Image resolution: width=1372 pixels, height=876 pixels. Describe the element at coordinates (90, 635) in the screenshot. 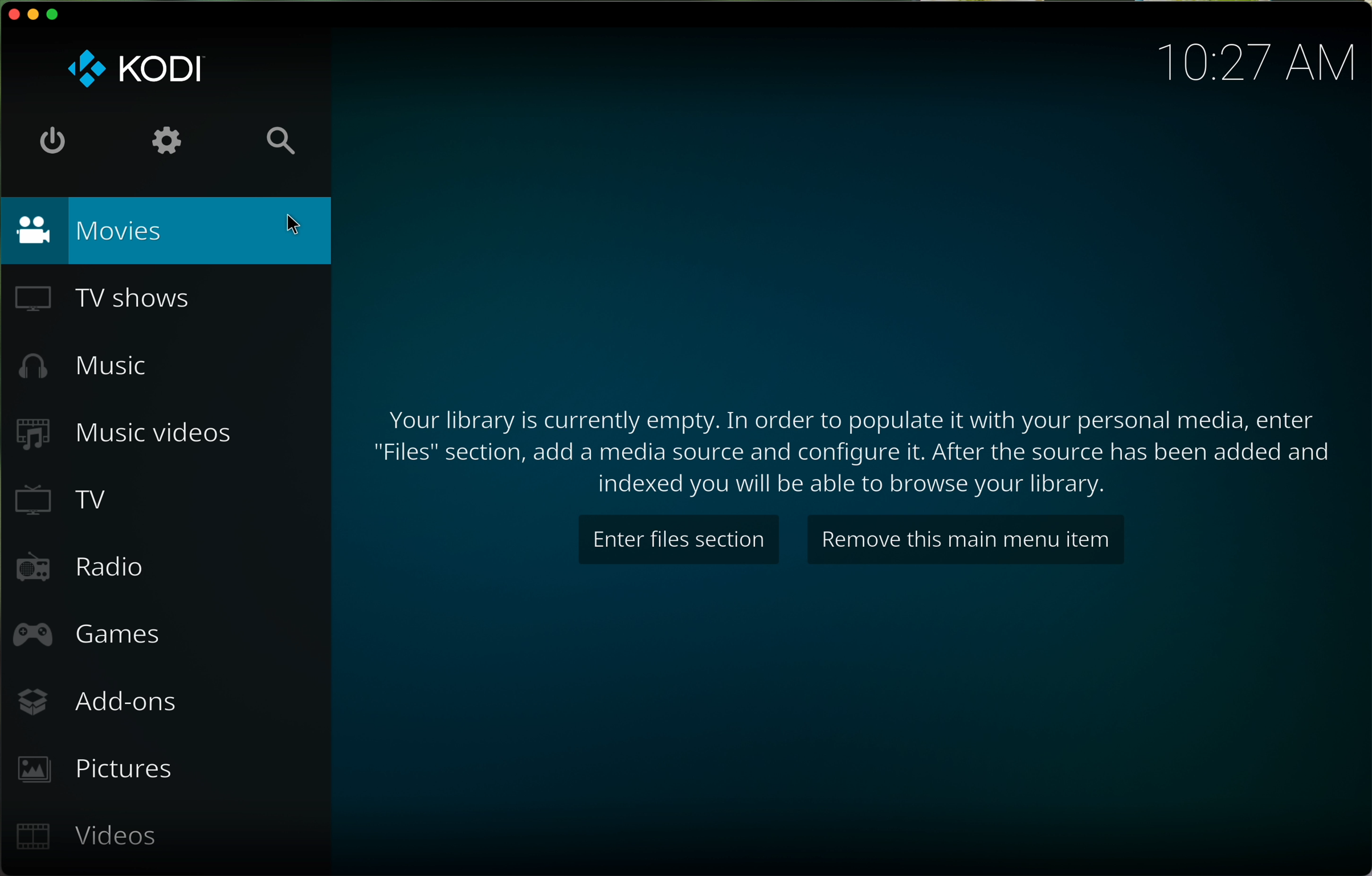

I see `games button` at that location.